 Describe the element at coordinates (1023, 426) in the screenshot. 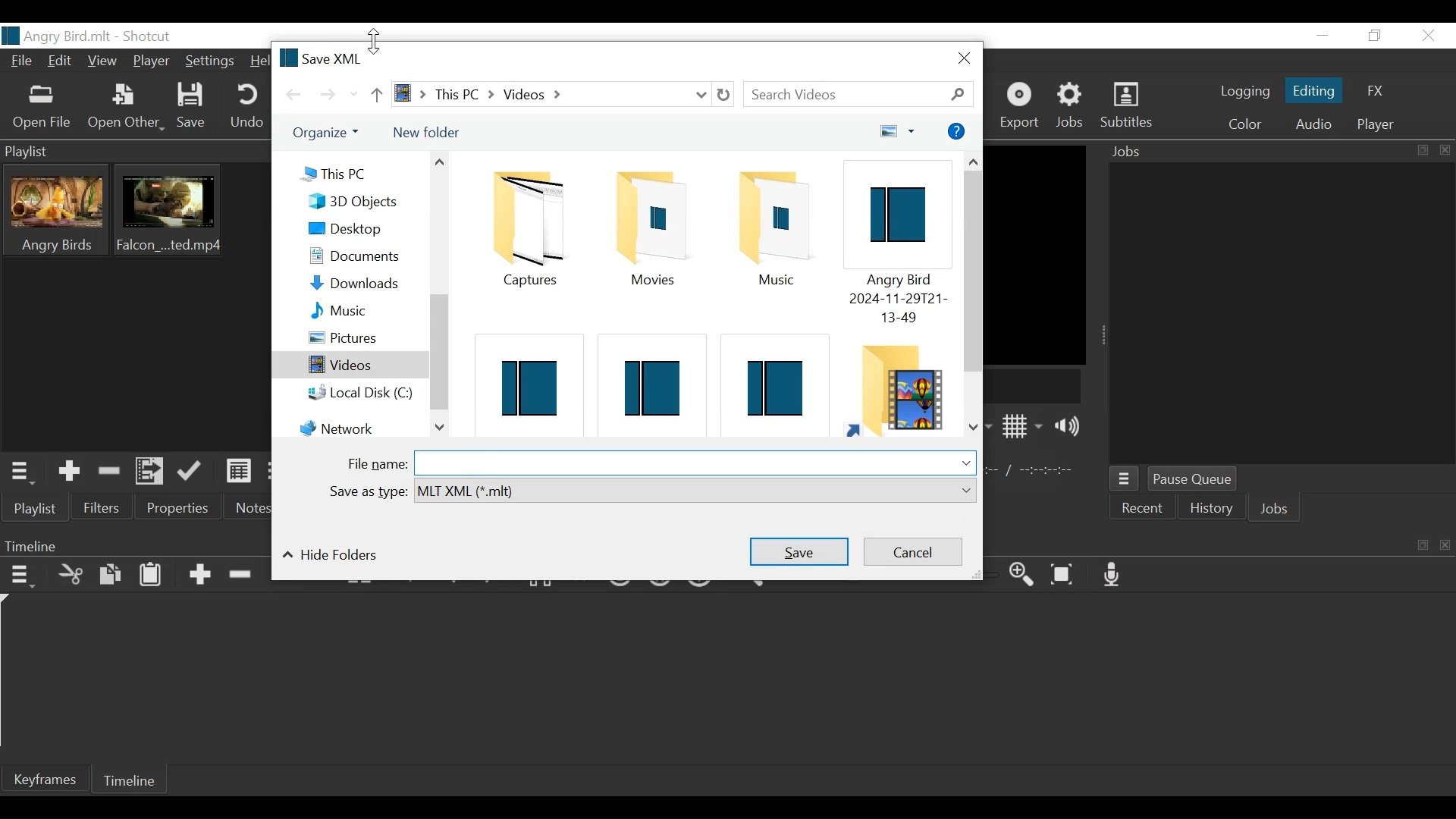

I see `Toggle display grid on player` at that location.